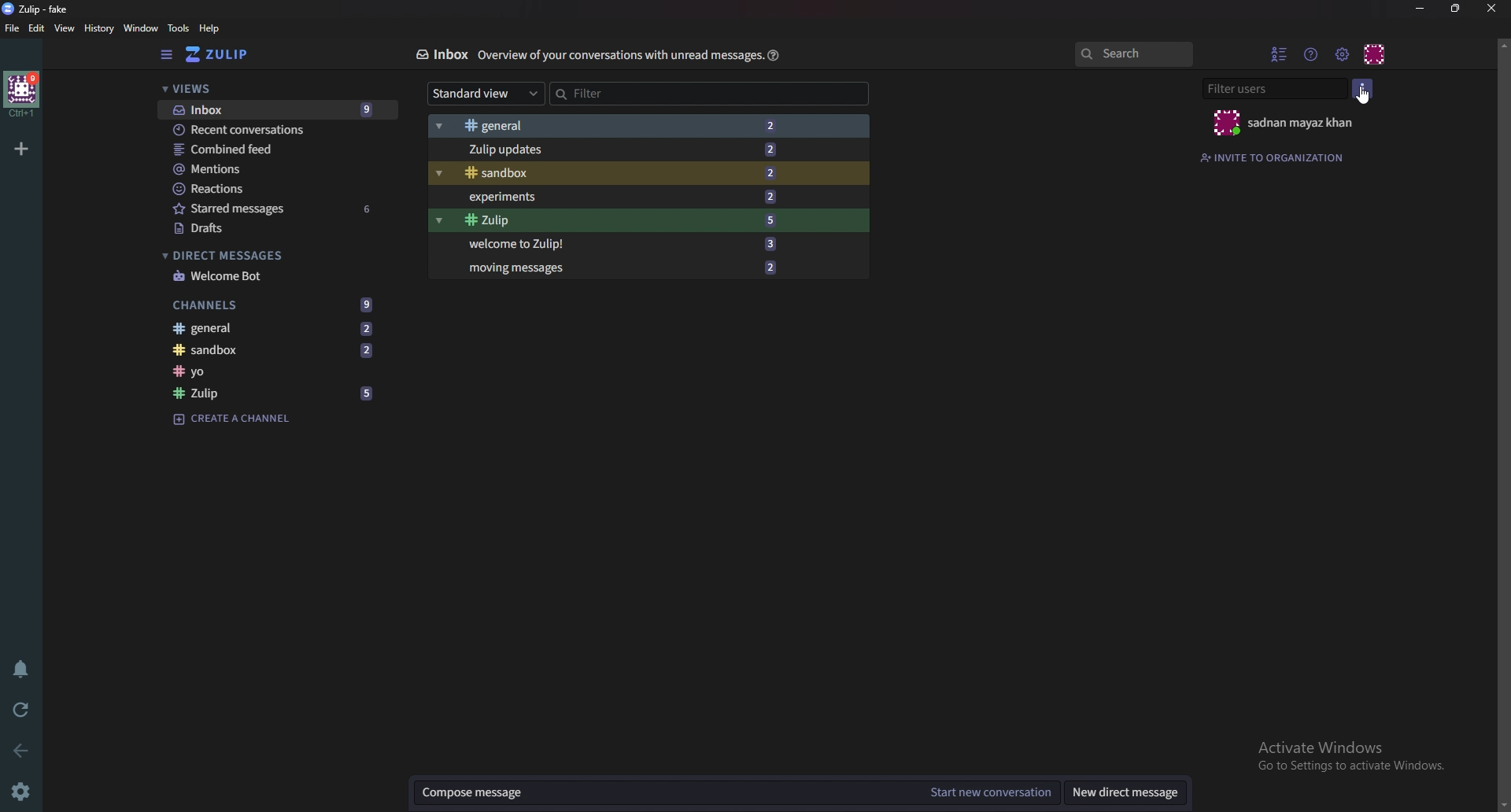  Describe the element at coordinates (277, 209) in the screenshot. I see `Starred messages` at that location.